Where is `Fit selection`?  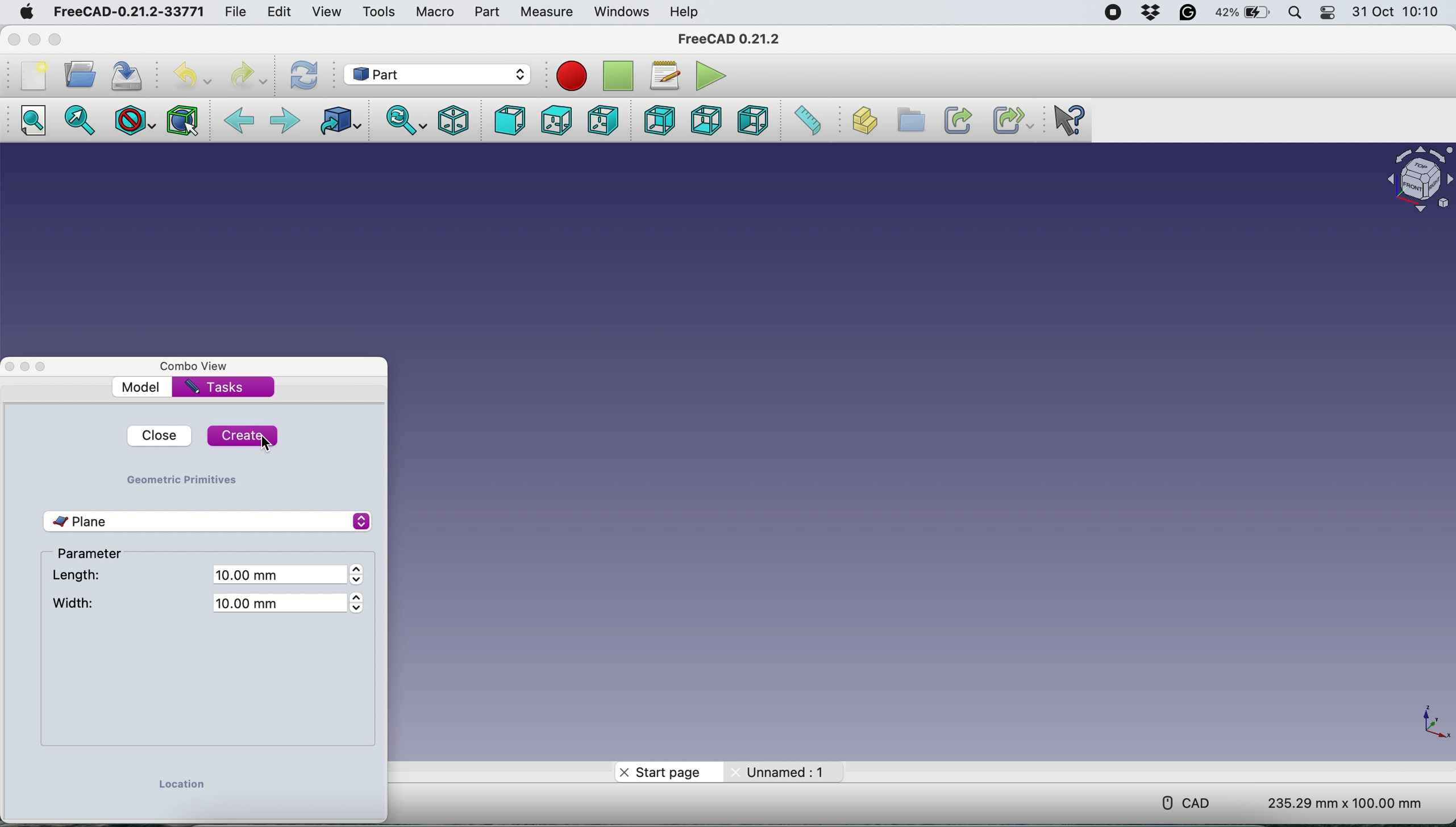 Fit selection is located at coordinates (76, 119).